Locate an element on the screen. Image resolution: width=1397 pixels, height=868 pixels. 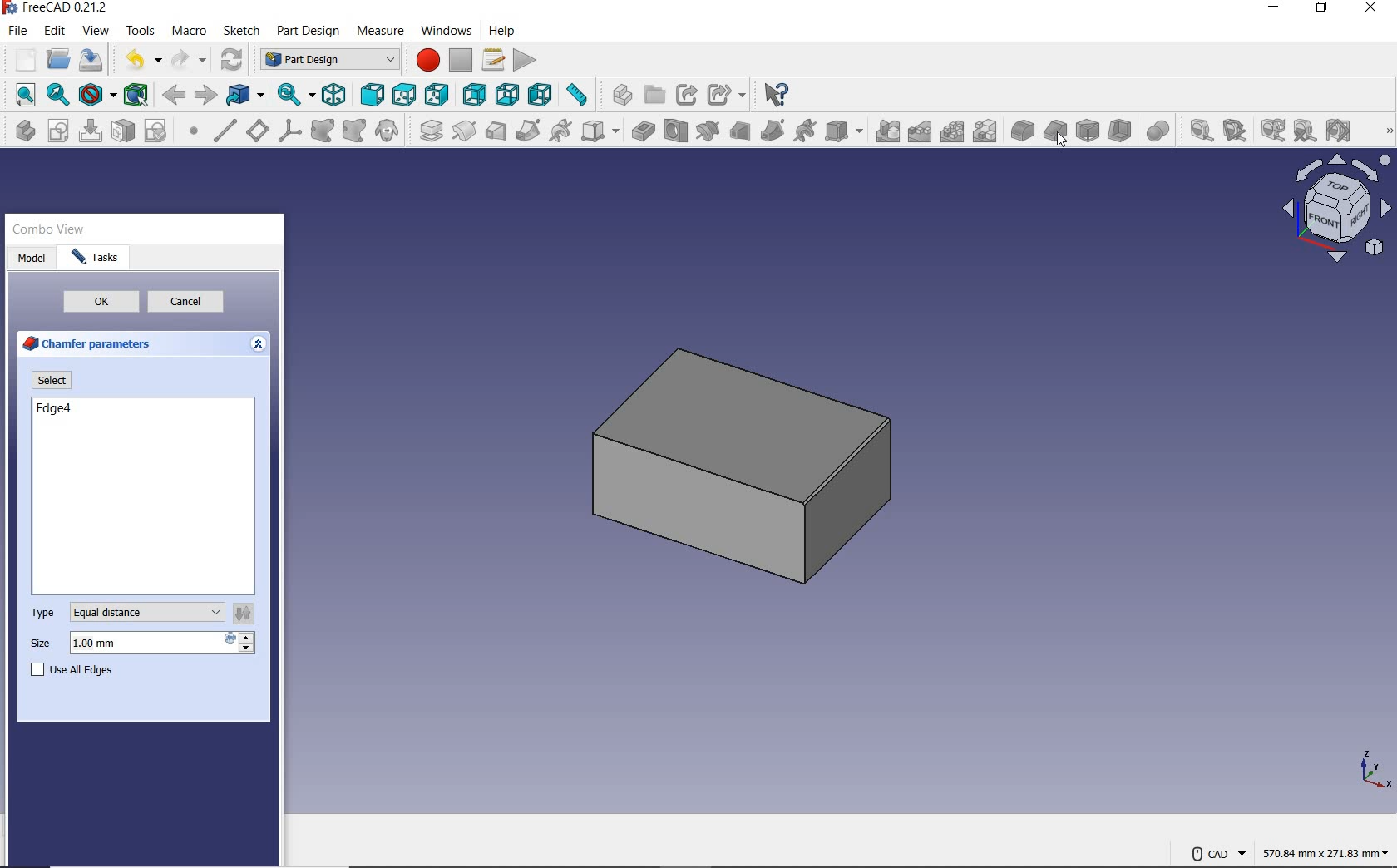
tools is located at coordinates (140, 32).